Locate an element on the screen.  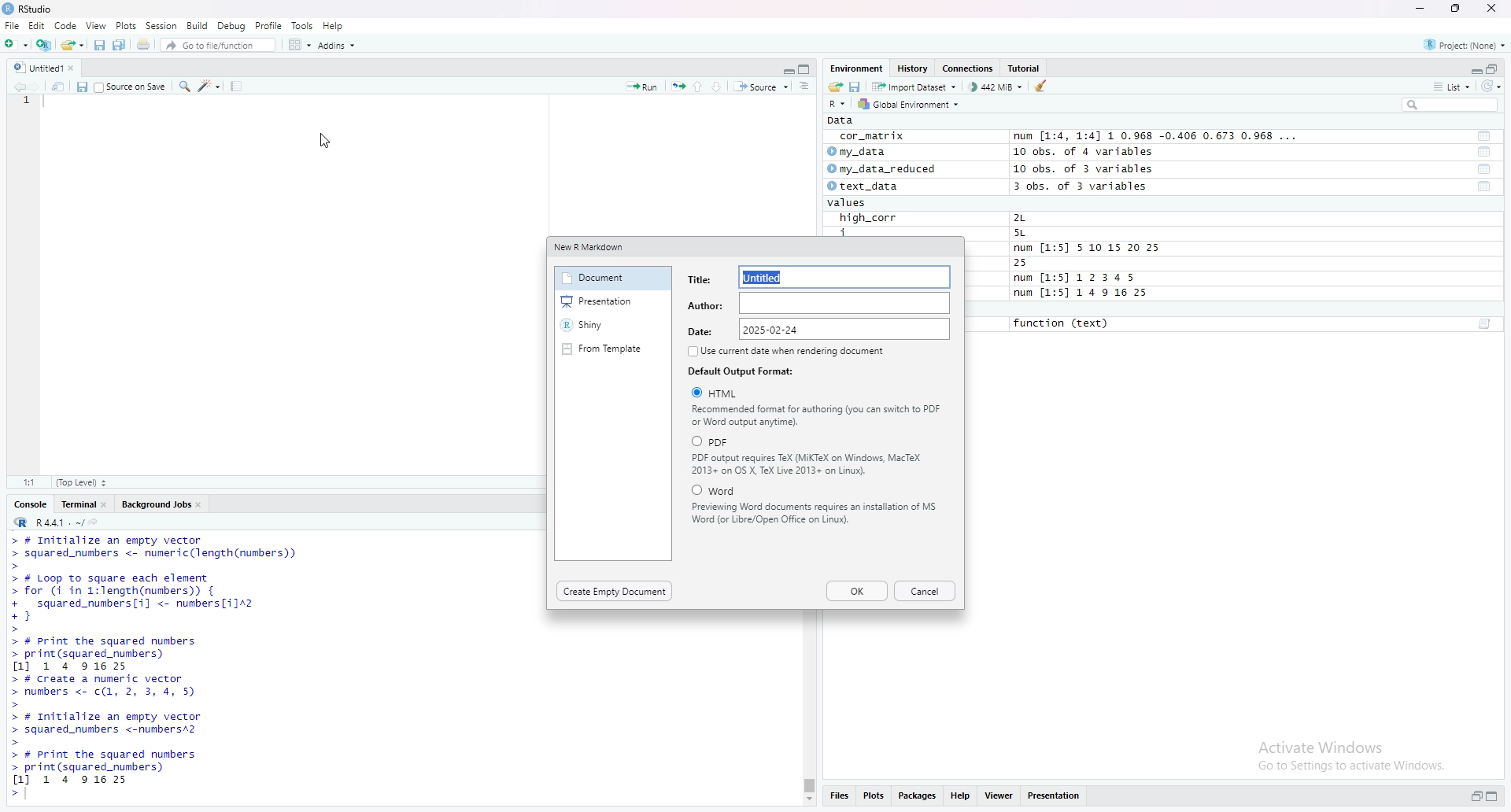
2025-02-24 is located at coordinates (845, 329).